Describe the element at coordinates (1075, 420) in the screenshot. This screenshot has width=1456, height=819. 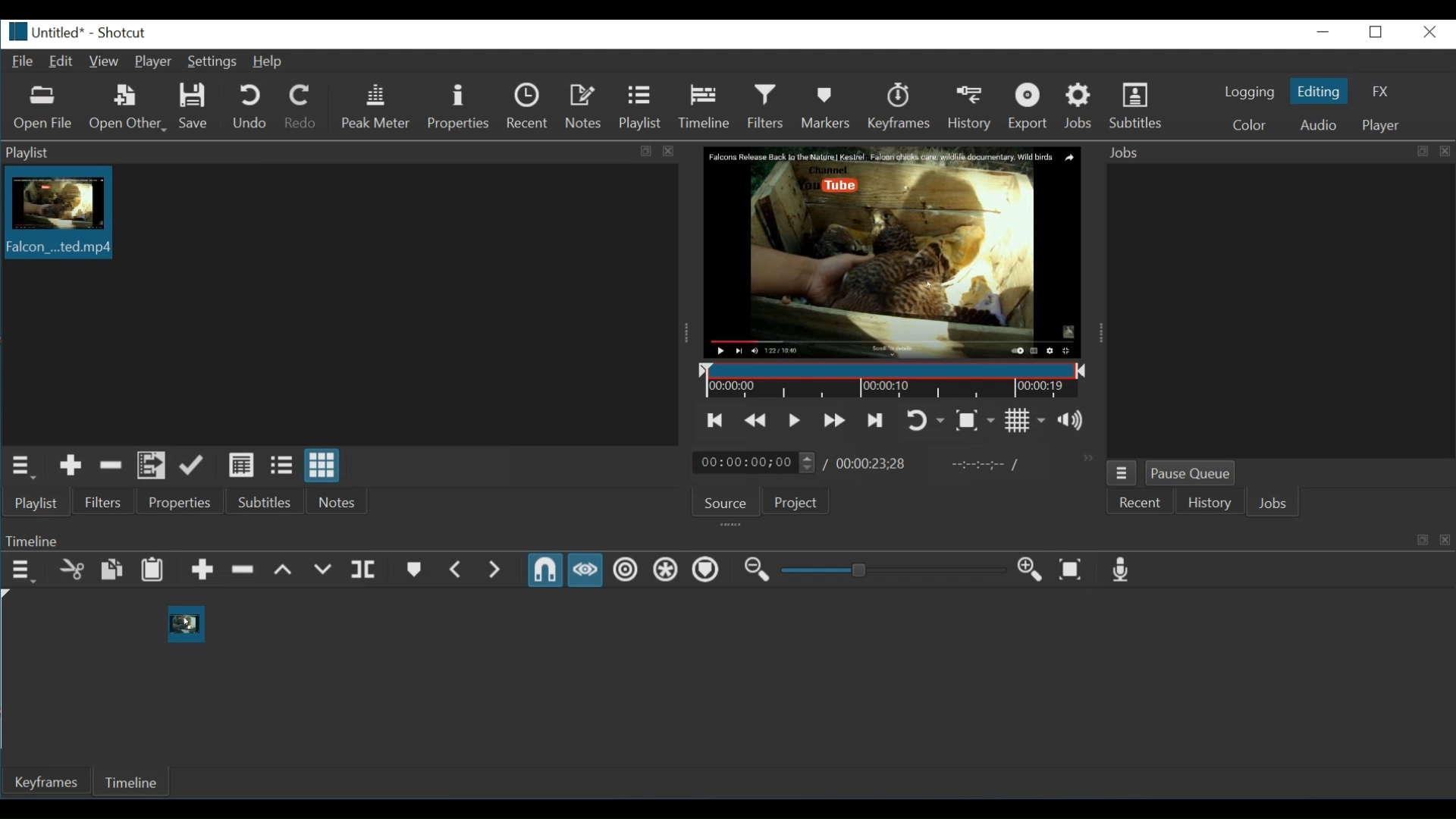
I see `show the volume control` at that location.